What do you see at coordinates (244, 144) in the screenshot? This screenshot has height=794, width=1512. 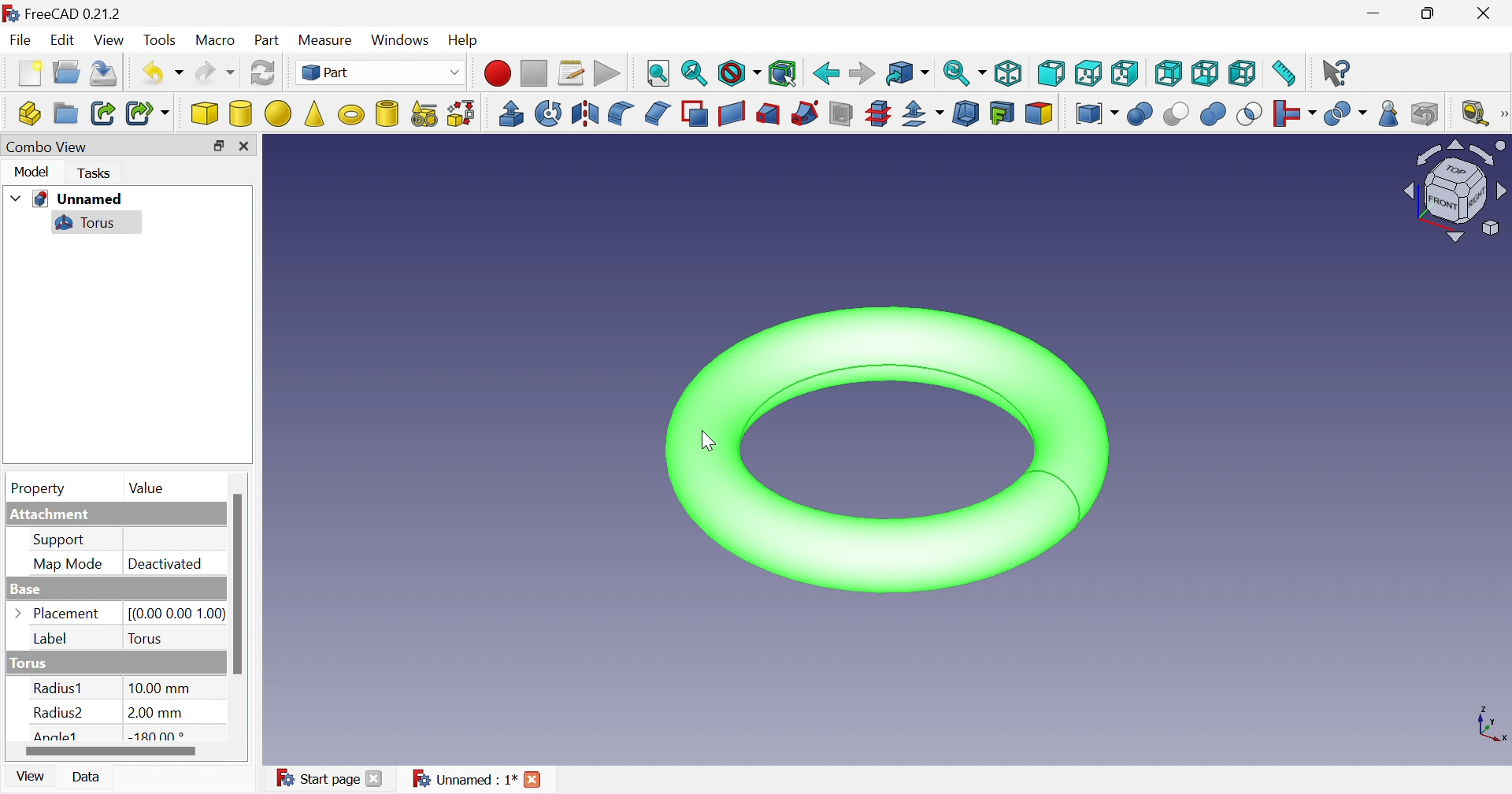 I see `Close` at bounding box center [244, 144].